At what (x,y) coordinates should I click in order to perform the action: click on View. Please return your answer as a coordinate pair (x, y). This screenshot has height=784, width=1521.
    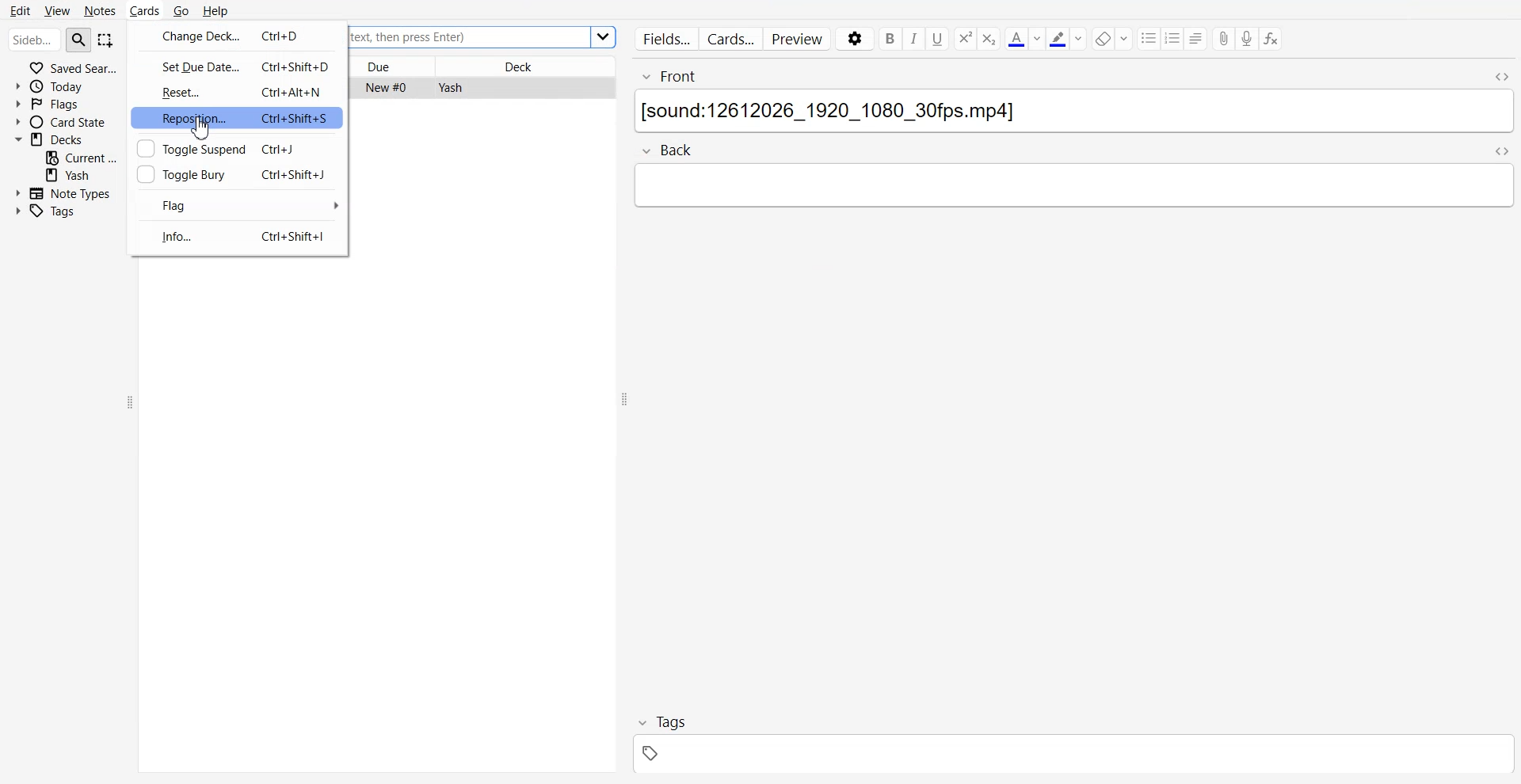
    Looking at the image, I should click on (56, 10).